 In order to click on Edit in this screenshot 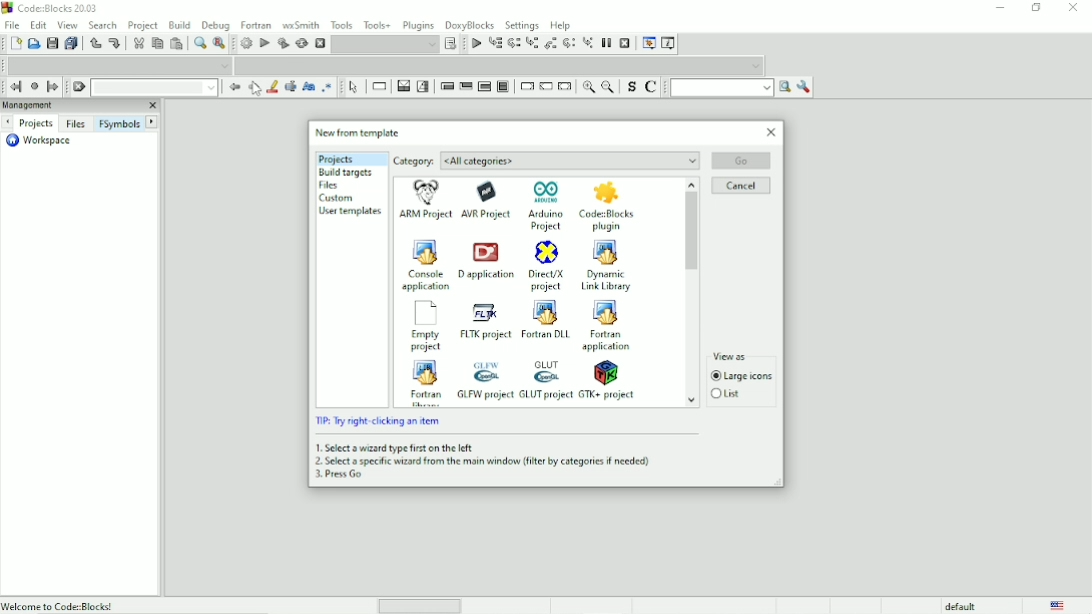, I will do `click(38, 25)`.